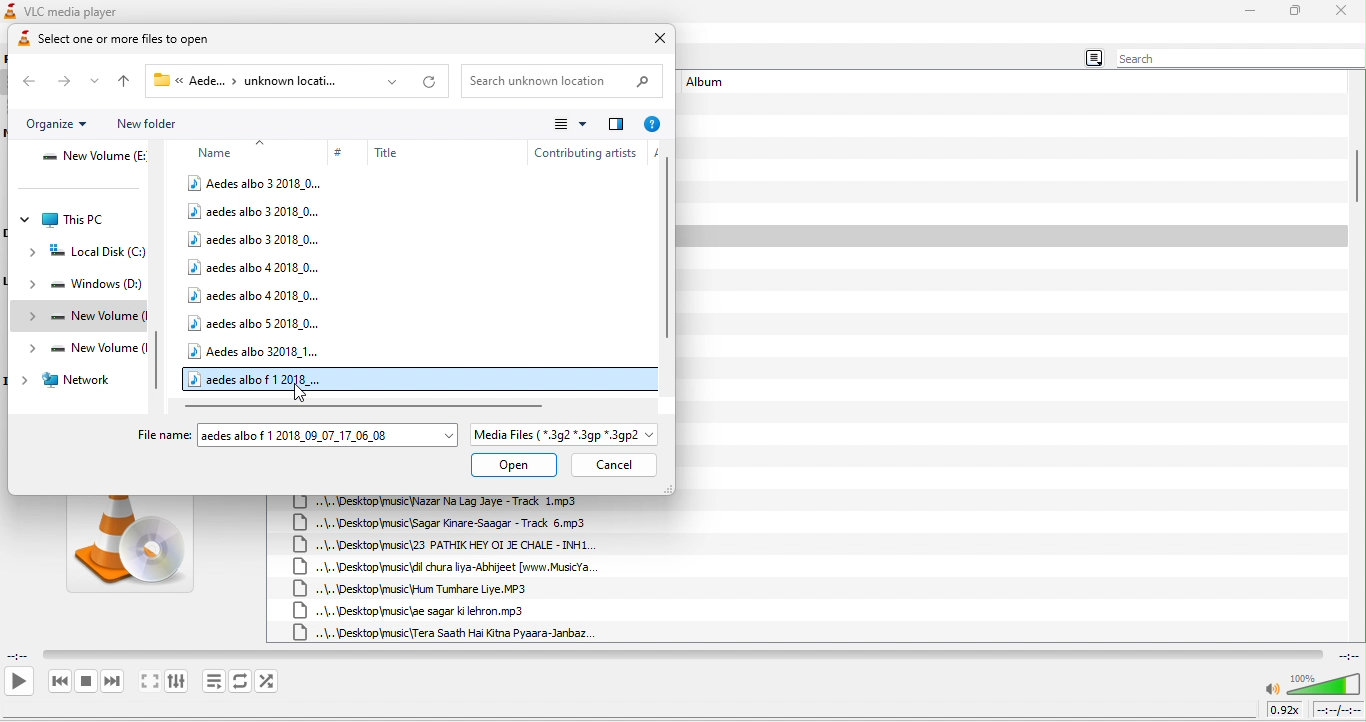 The height and width of the screenshot is (722, 1366). What do you see at coordinates (667, 245) in the screenshot?
I see `vertical scroll bar` at bounding box center [667, 245].